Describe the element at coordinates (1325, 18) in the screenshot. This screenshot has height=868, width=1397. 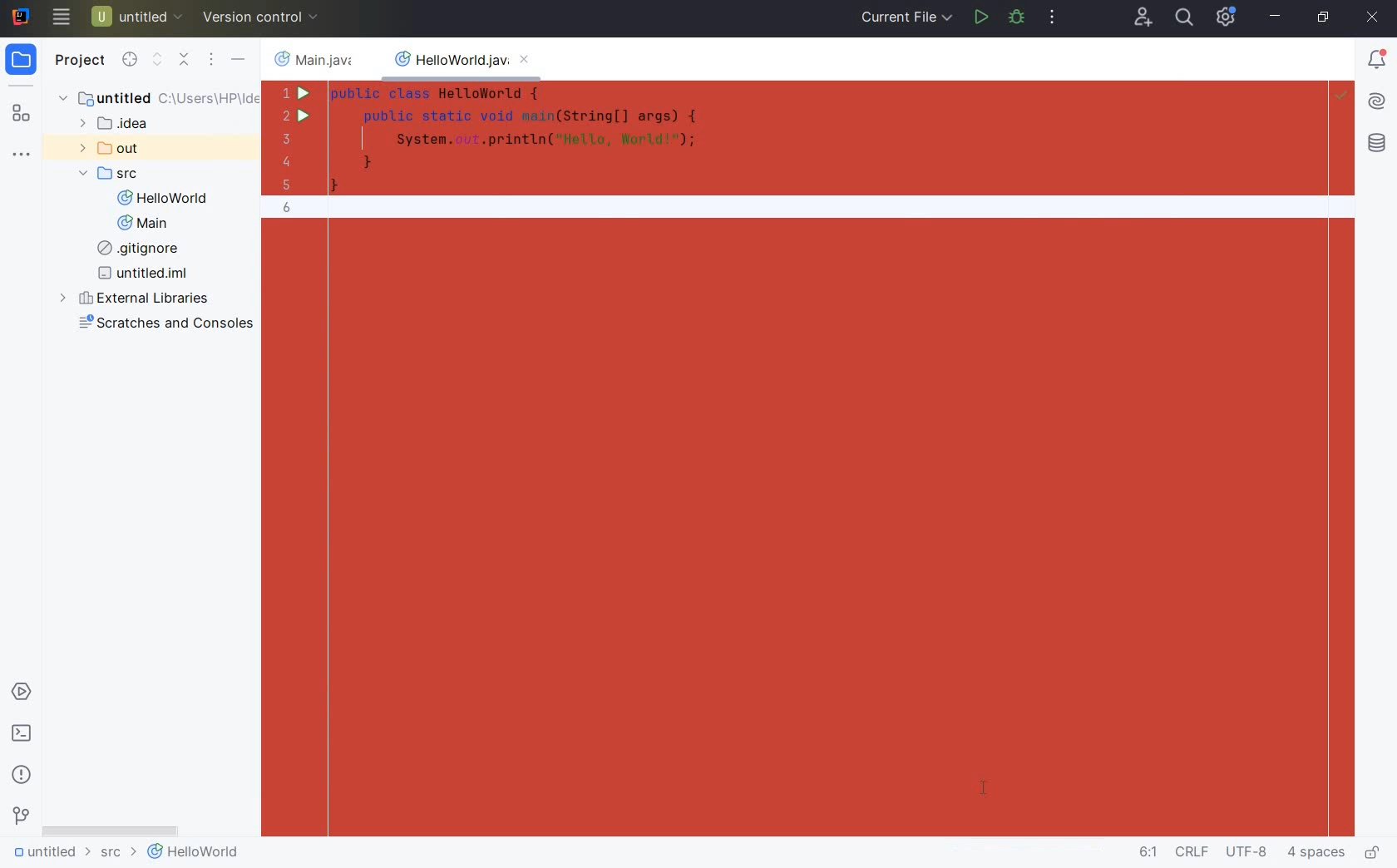
I see `restore down` at that location.